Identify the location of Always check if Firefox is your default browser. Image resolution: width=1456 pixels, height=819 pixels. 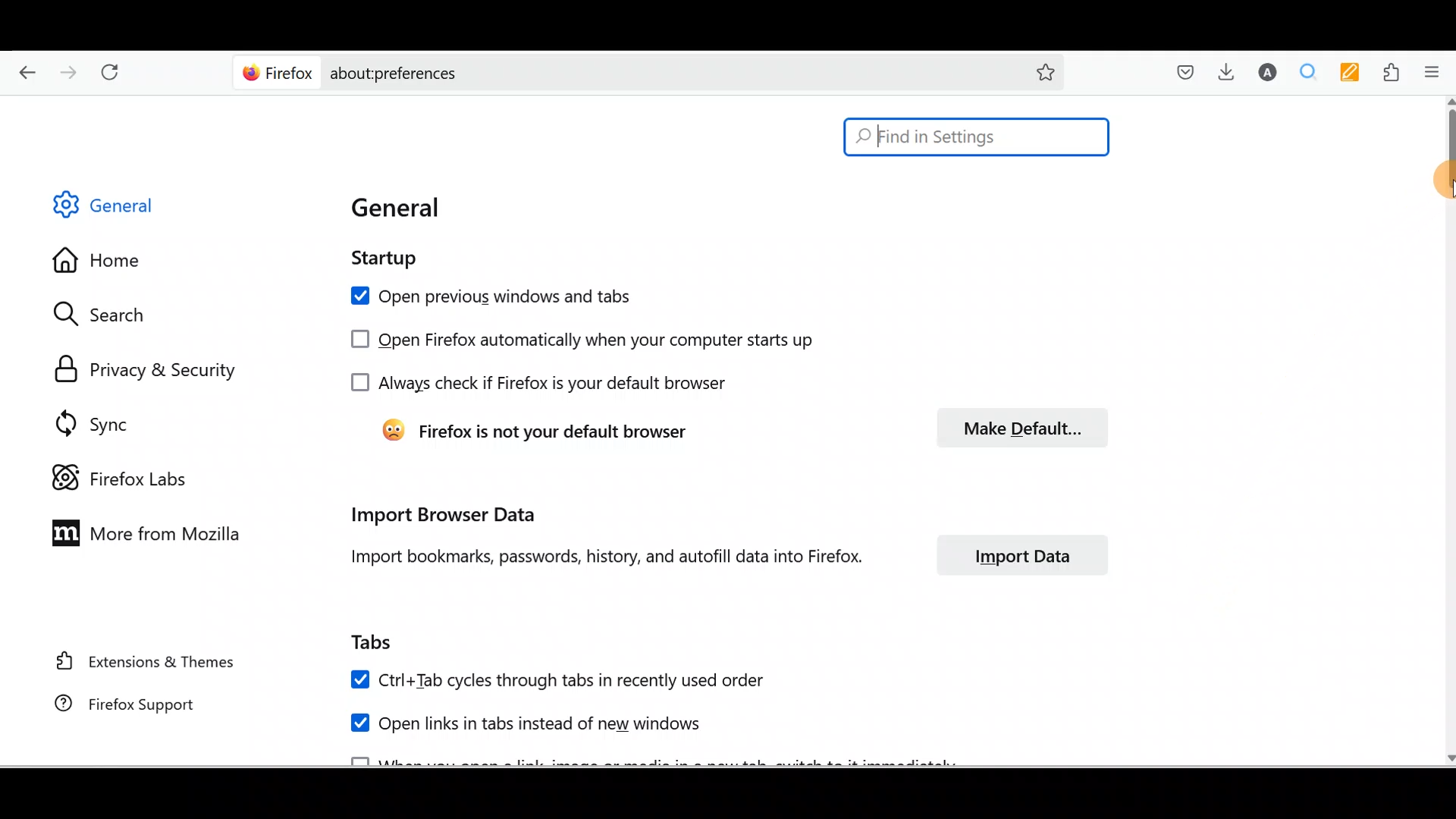
(535, 380).